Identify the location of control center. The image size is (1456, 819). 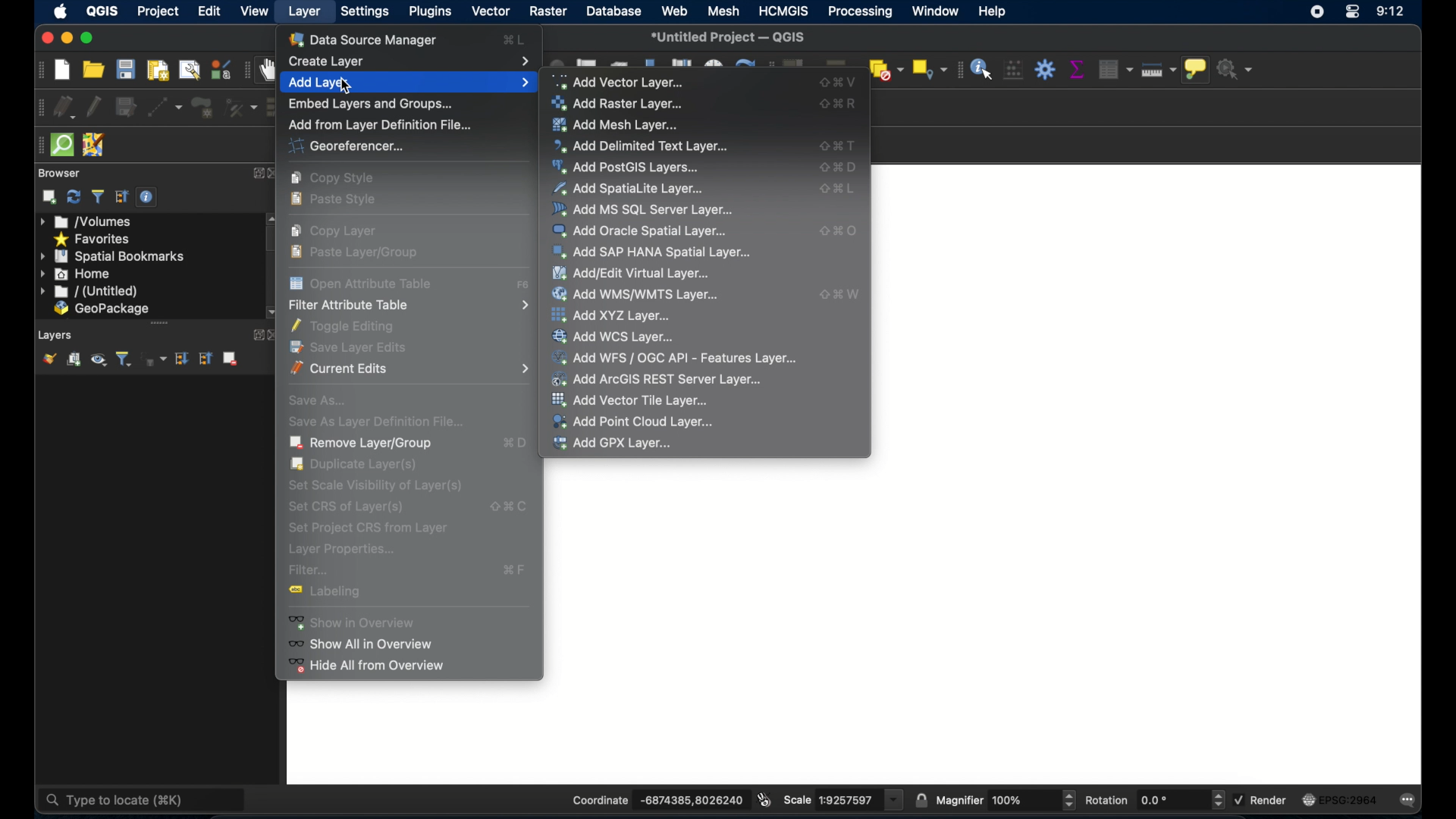
(1352, 14).